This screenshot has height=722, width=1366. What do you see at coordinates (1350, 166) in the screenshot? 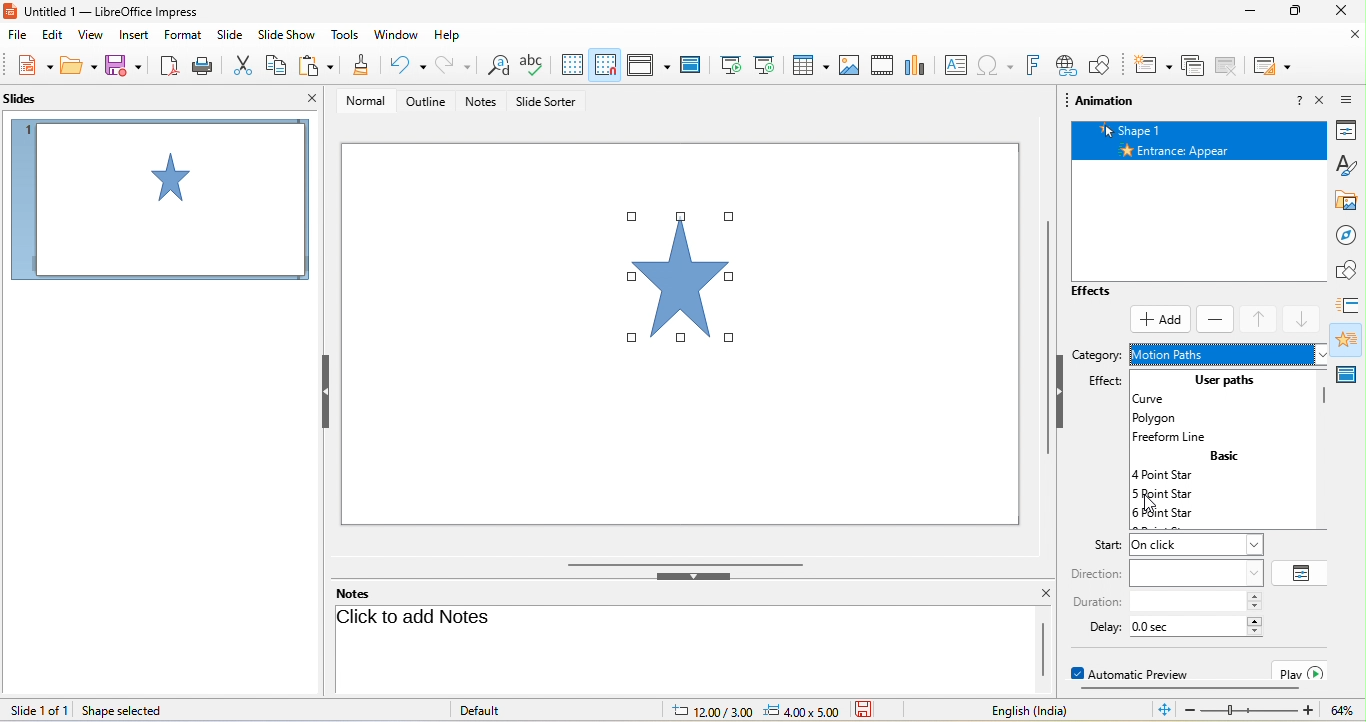
I see `styles` at bounding box center [1350, 166].